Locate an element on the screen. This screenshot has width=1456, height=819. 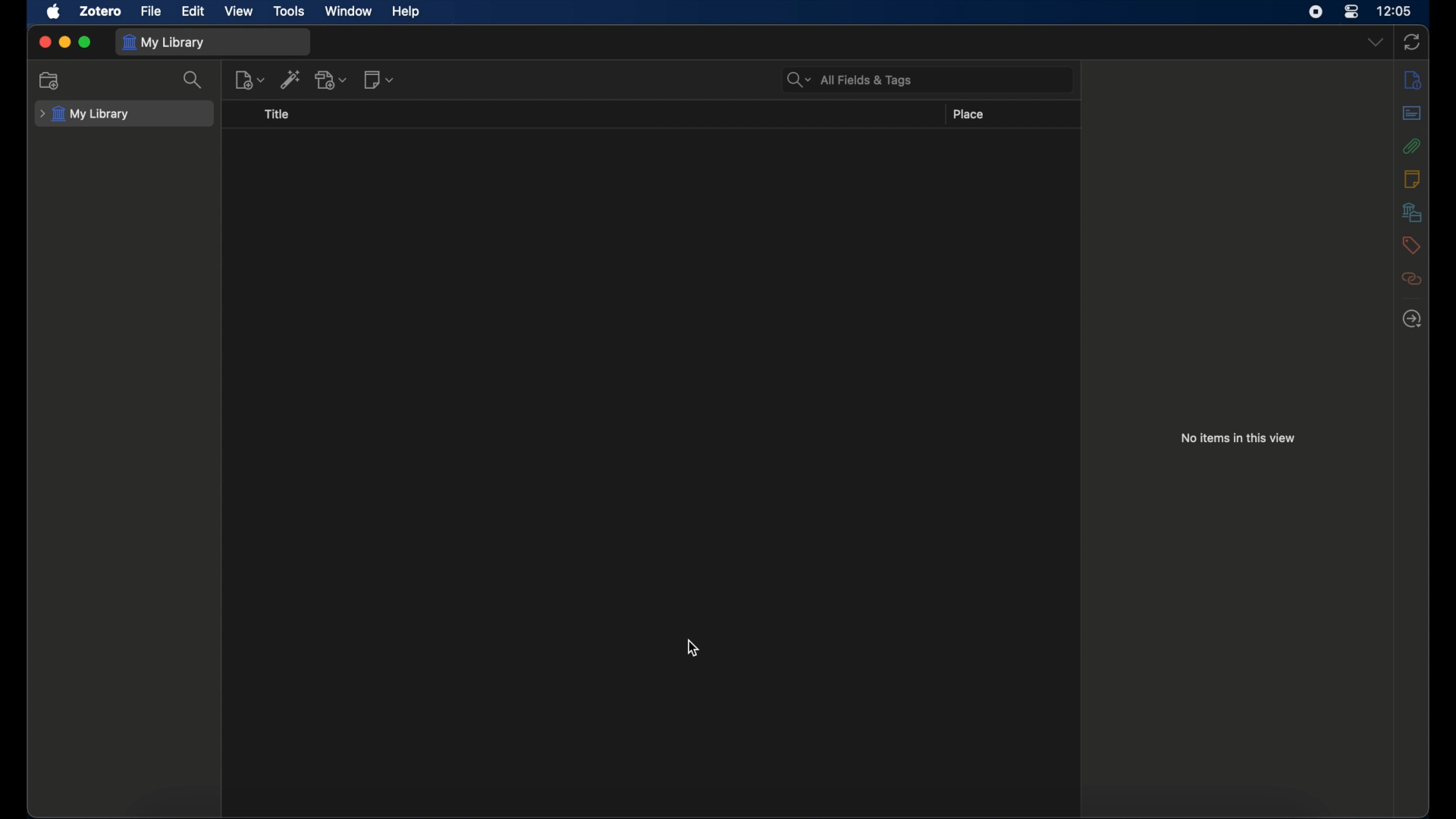
edit is located at coordinates (195, 12).